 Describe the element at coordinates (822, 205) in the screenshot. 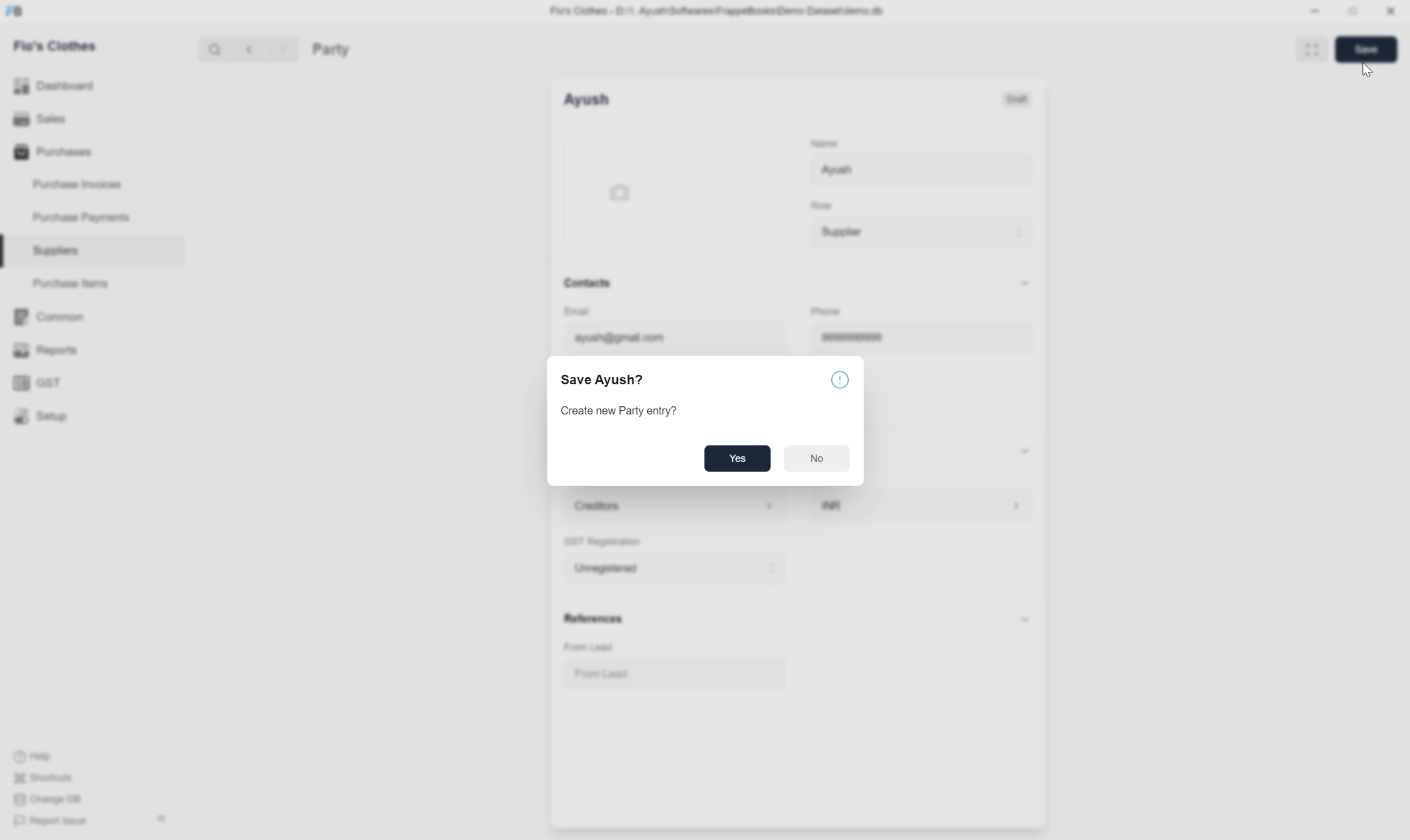

I see `Role` at that location.